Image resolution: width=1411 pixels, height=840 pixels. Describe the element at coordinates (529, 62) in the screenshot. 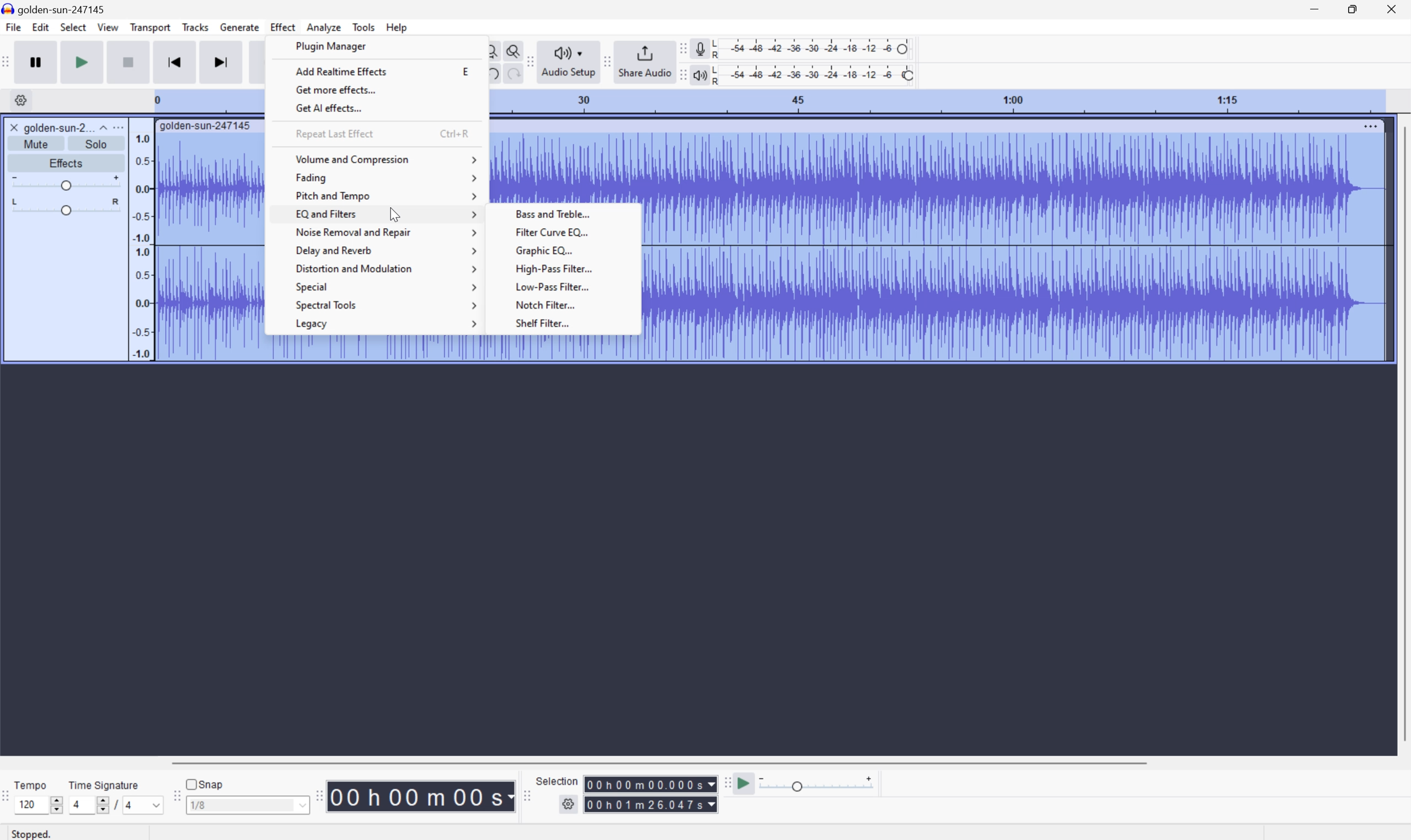

I see `Audacity audio setup toolbar` at that location.